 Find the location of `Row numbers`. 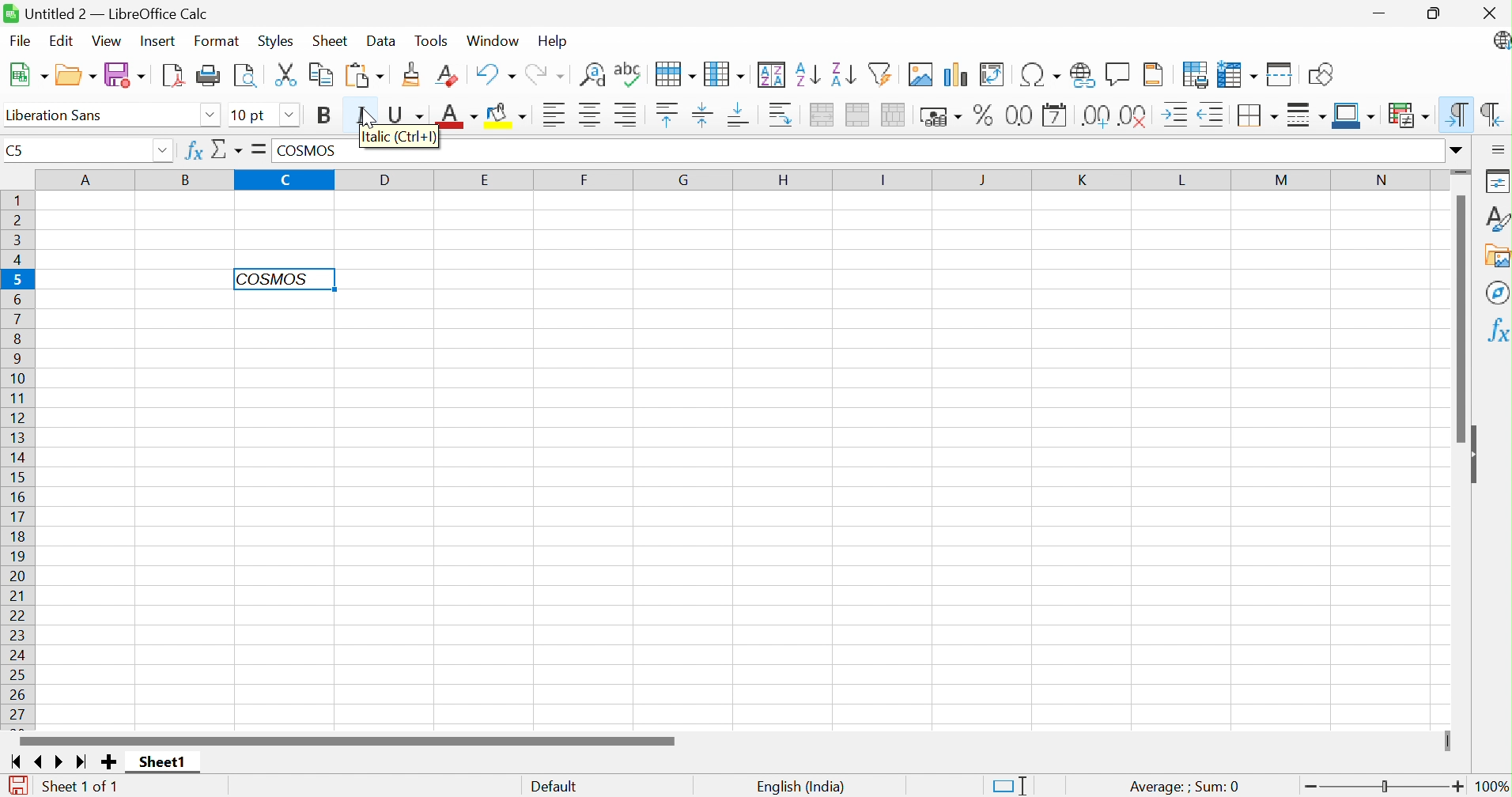

Row numbers is located at coordinates (16, 461).